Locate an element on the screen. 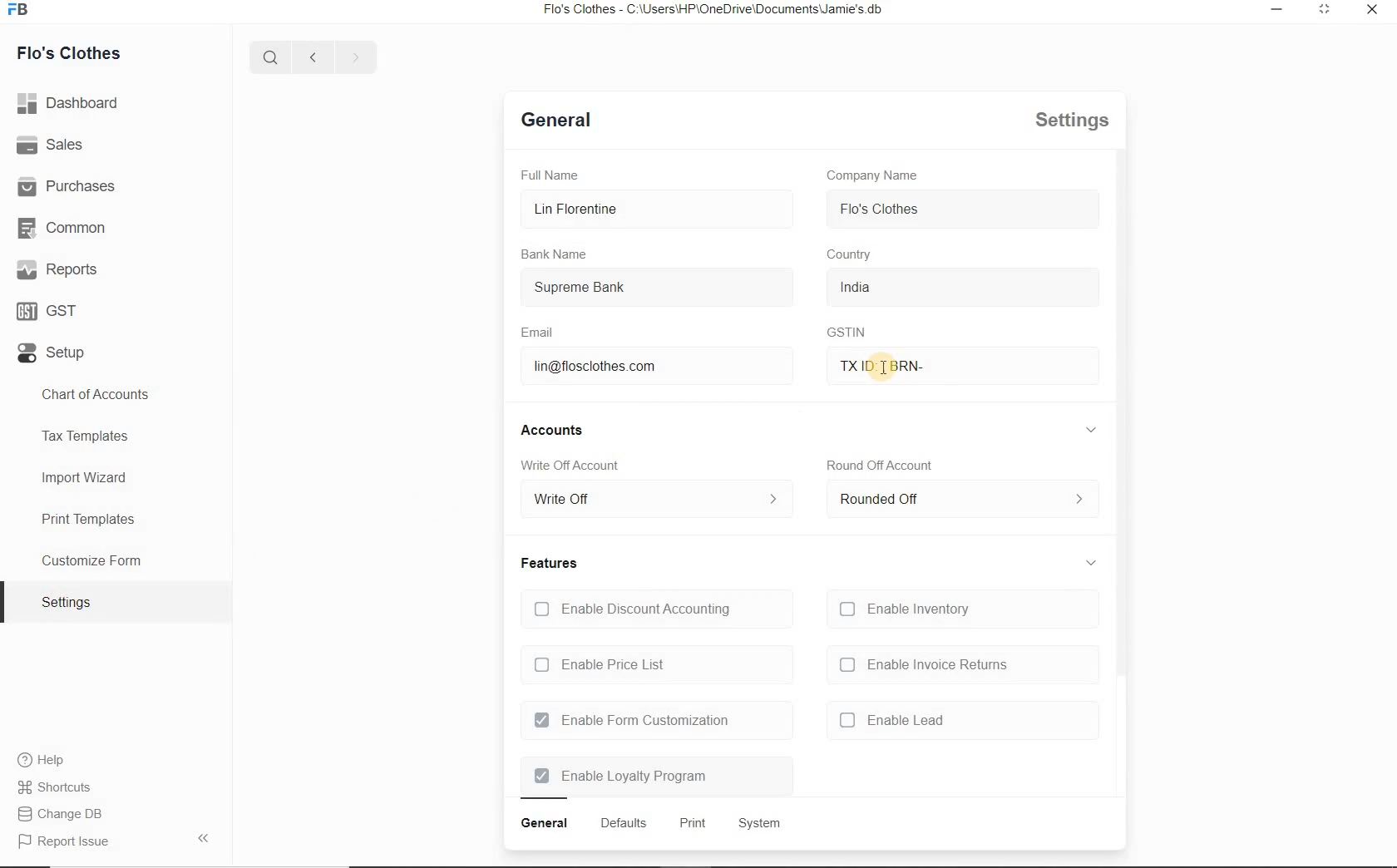  Import Wizard is located at coordinates (86, 479).